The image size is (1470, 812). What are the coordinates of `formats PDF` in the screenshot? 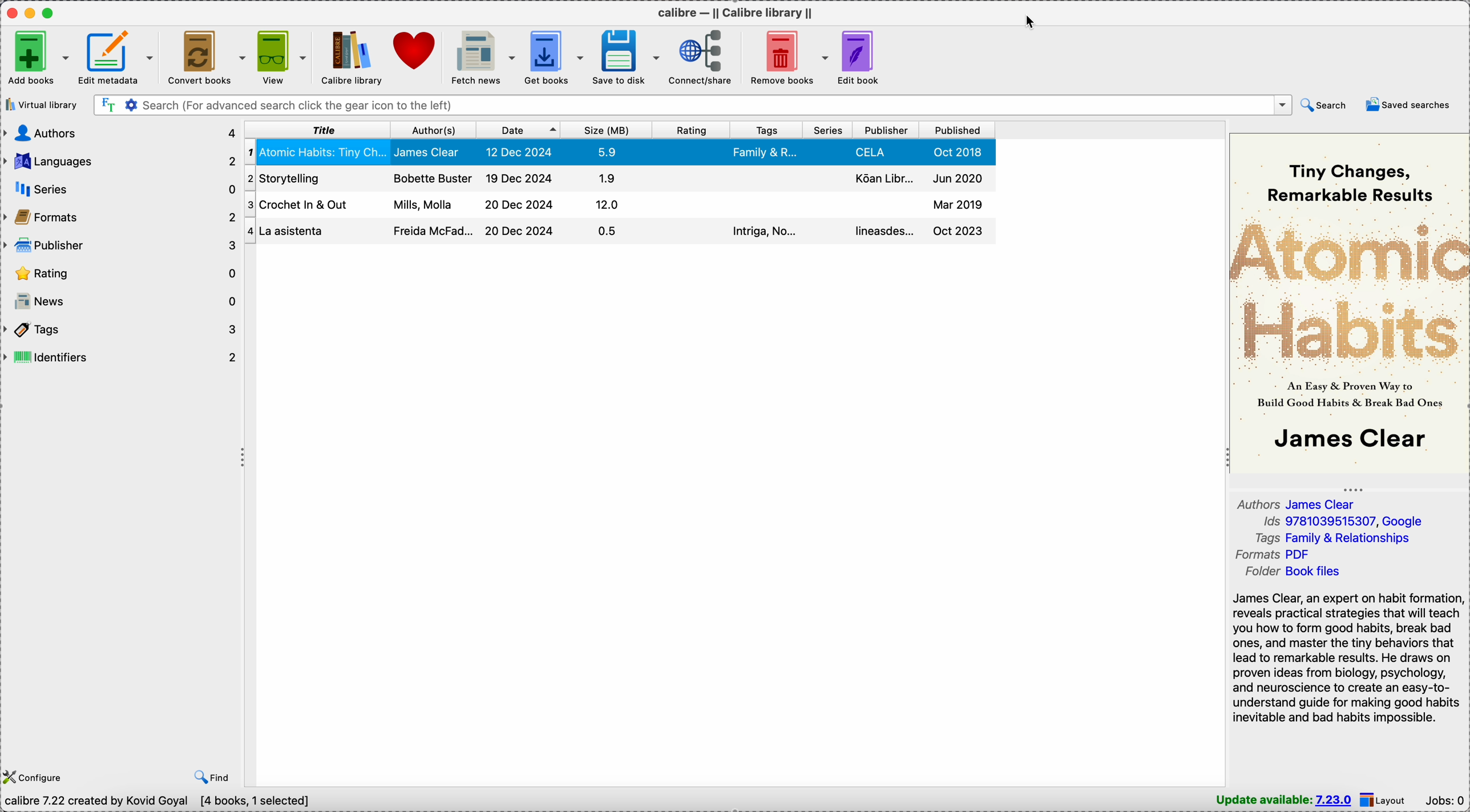 It's located at (1269, 554).